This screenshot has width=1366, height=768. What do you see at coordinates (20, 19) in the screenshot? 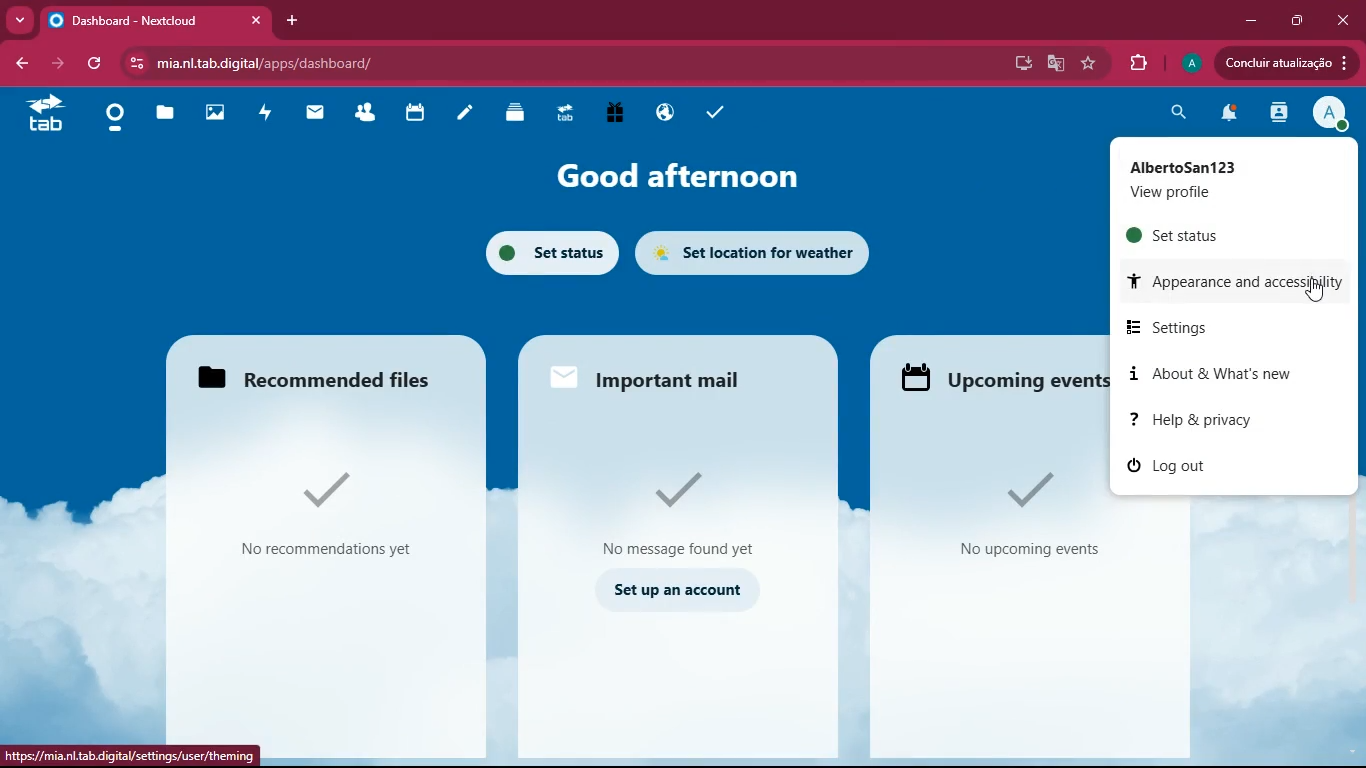
I see `more` at bounding box center [20, 19].